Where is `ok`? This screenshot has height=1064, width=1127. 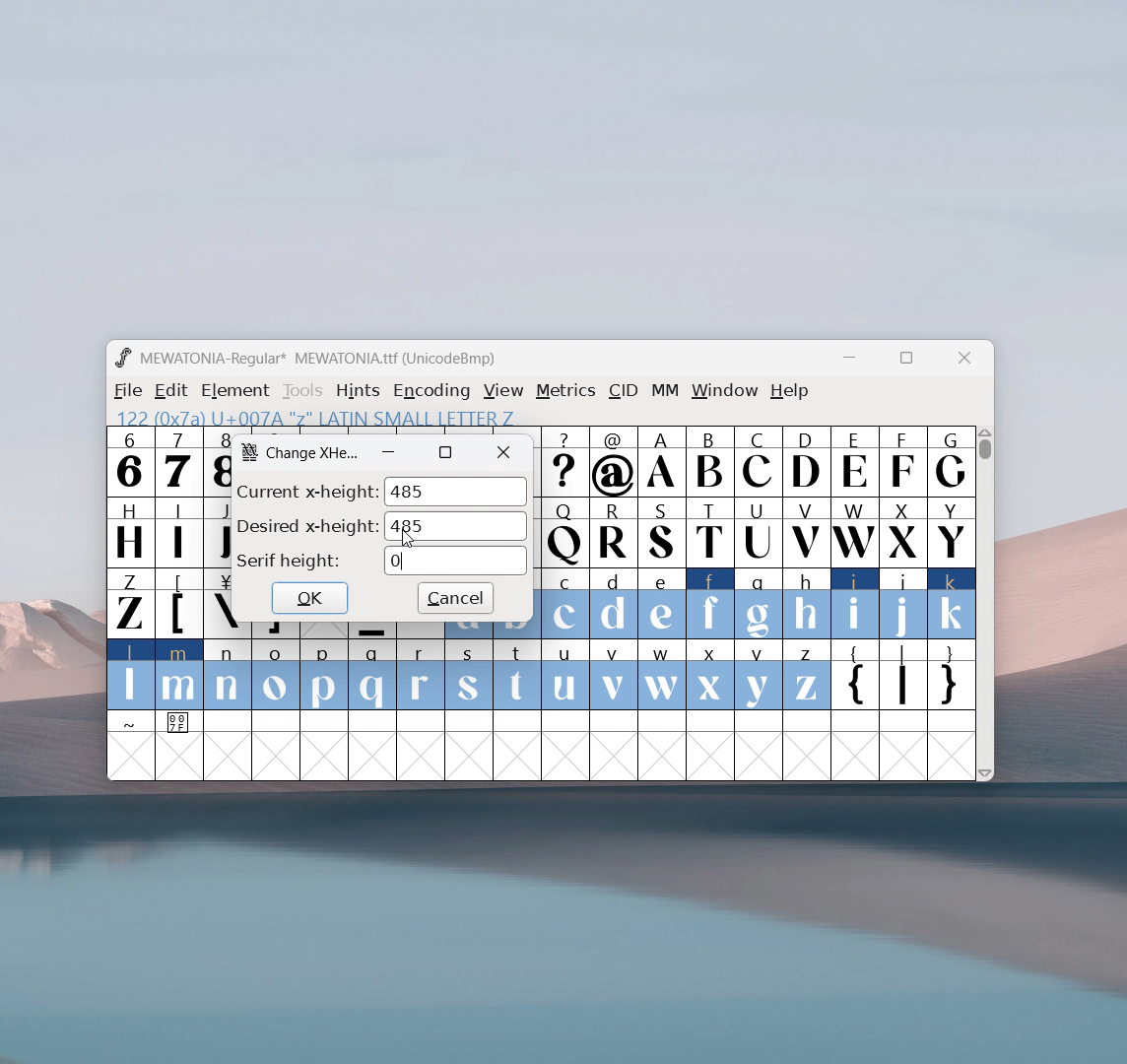 ok is located at coordinates (309, 597).